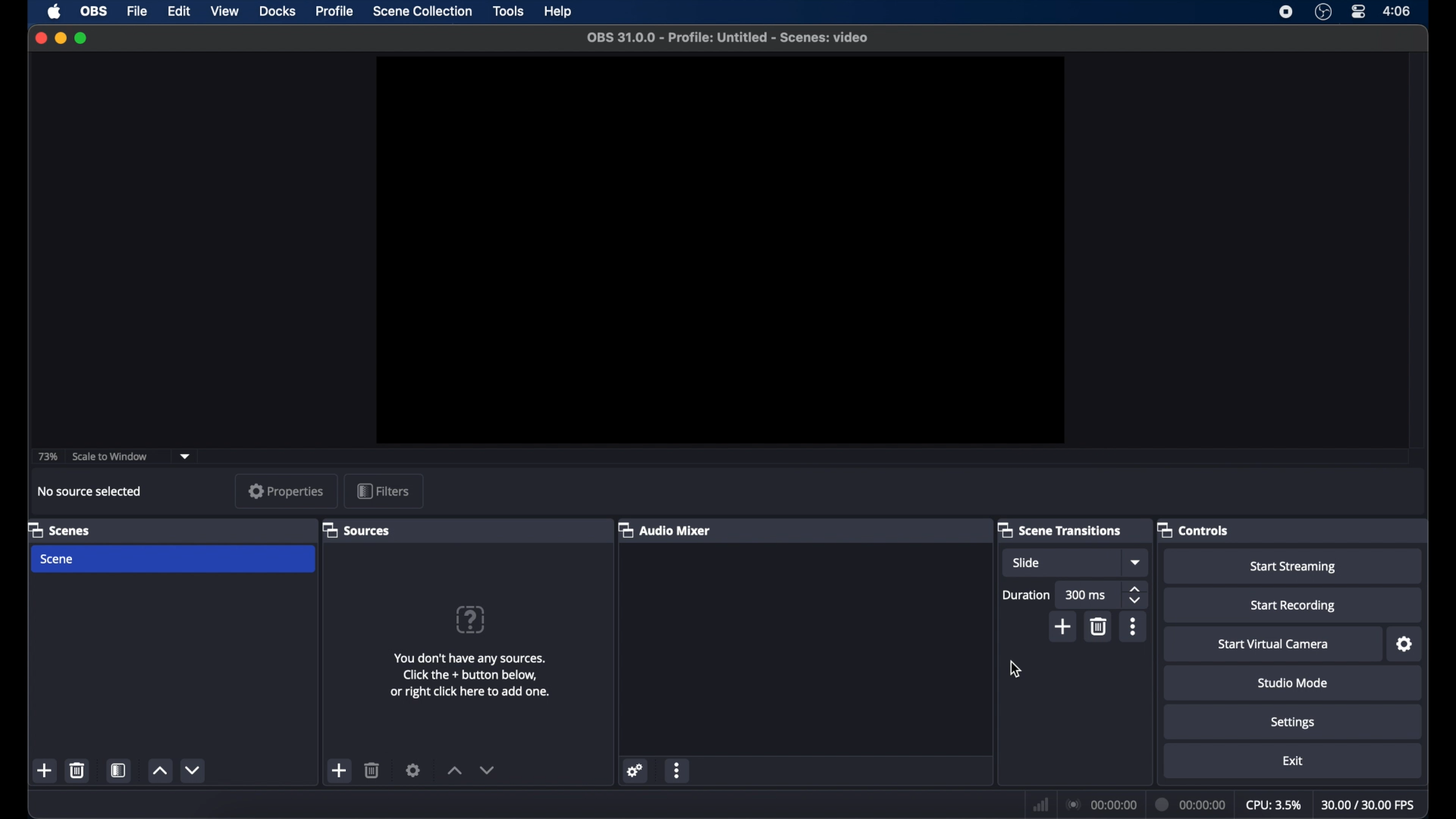  Describe the element at coordinates (278, 11) in the screenshot. I see `docks` at that location.